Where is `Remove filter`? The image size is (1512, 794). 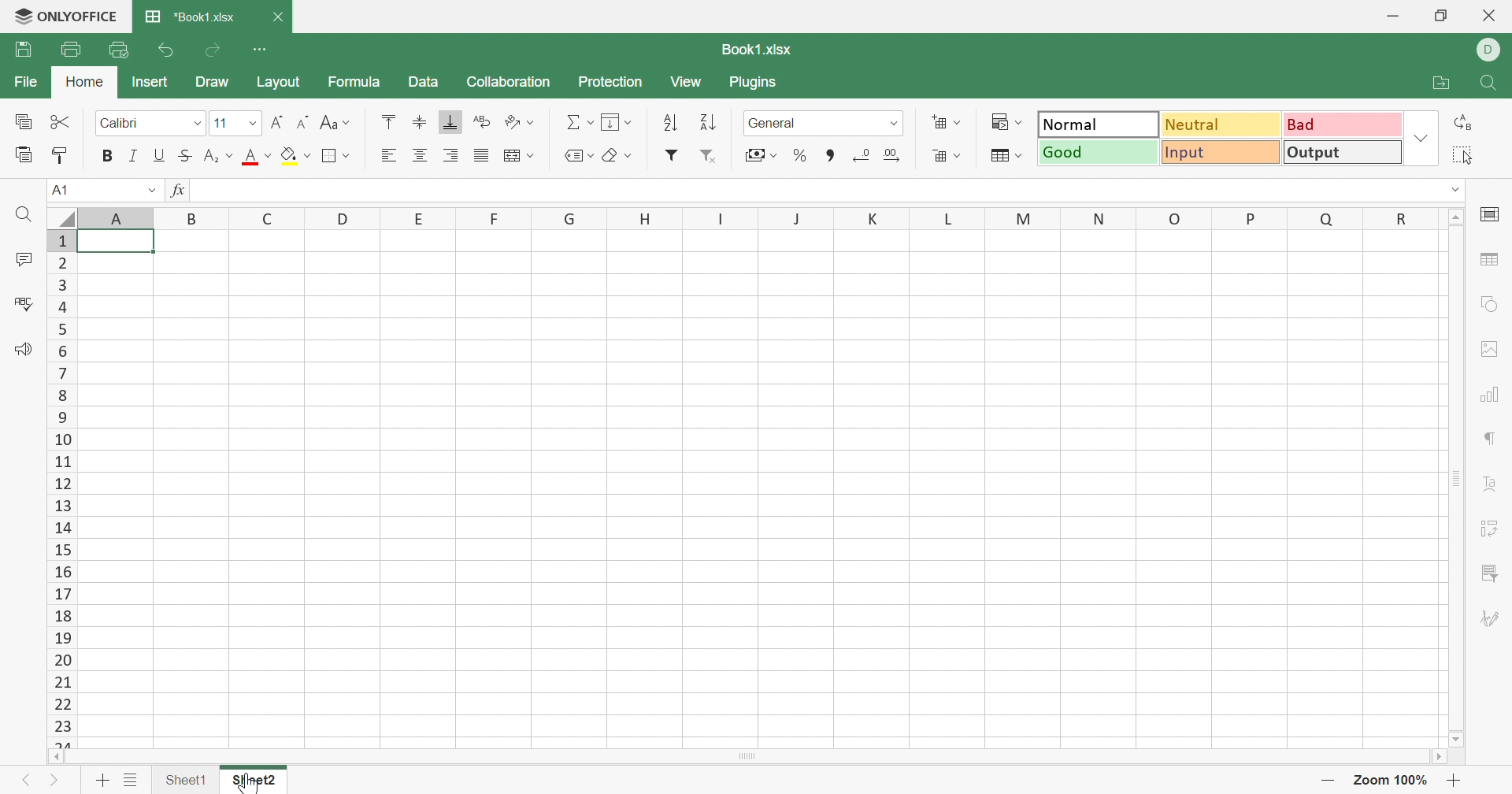 Remove filter is located at coordinates (712, 157).